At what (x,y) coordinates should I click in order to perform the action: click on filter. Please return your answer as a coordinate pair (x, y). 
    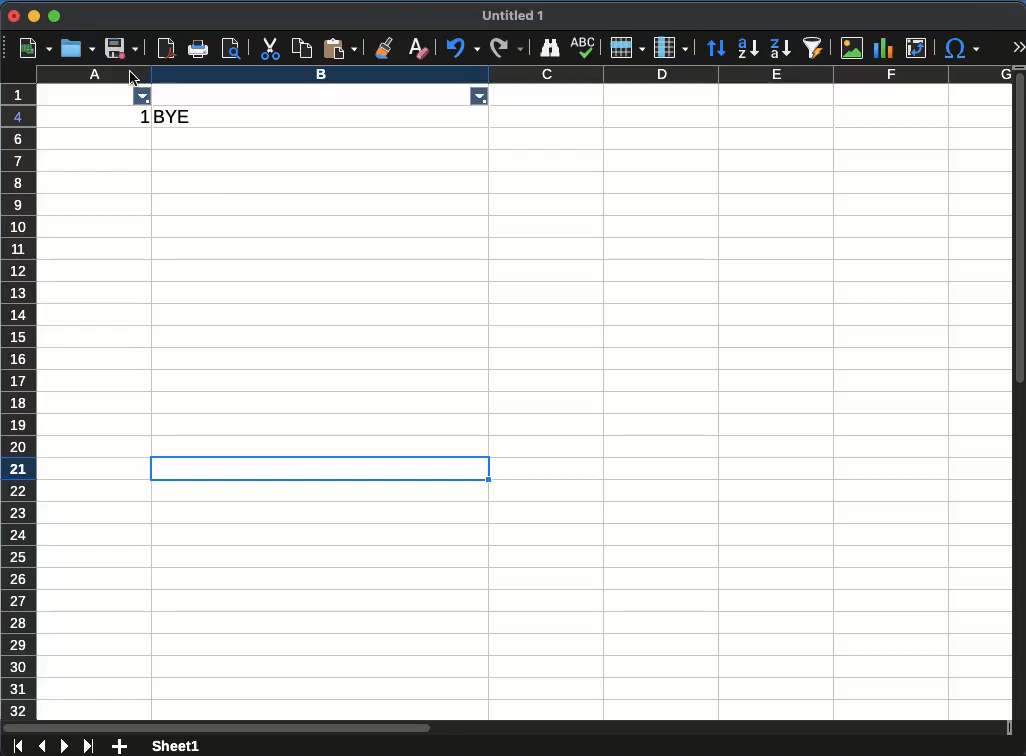
    Looking at the image, I should click on (144, 98).